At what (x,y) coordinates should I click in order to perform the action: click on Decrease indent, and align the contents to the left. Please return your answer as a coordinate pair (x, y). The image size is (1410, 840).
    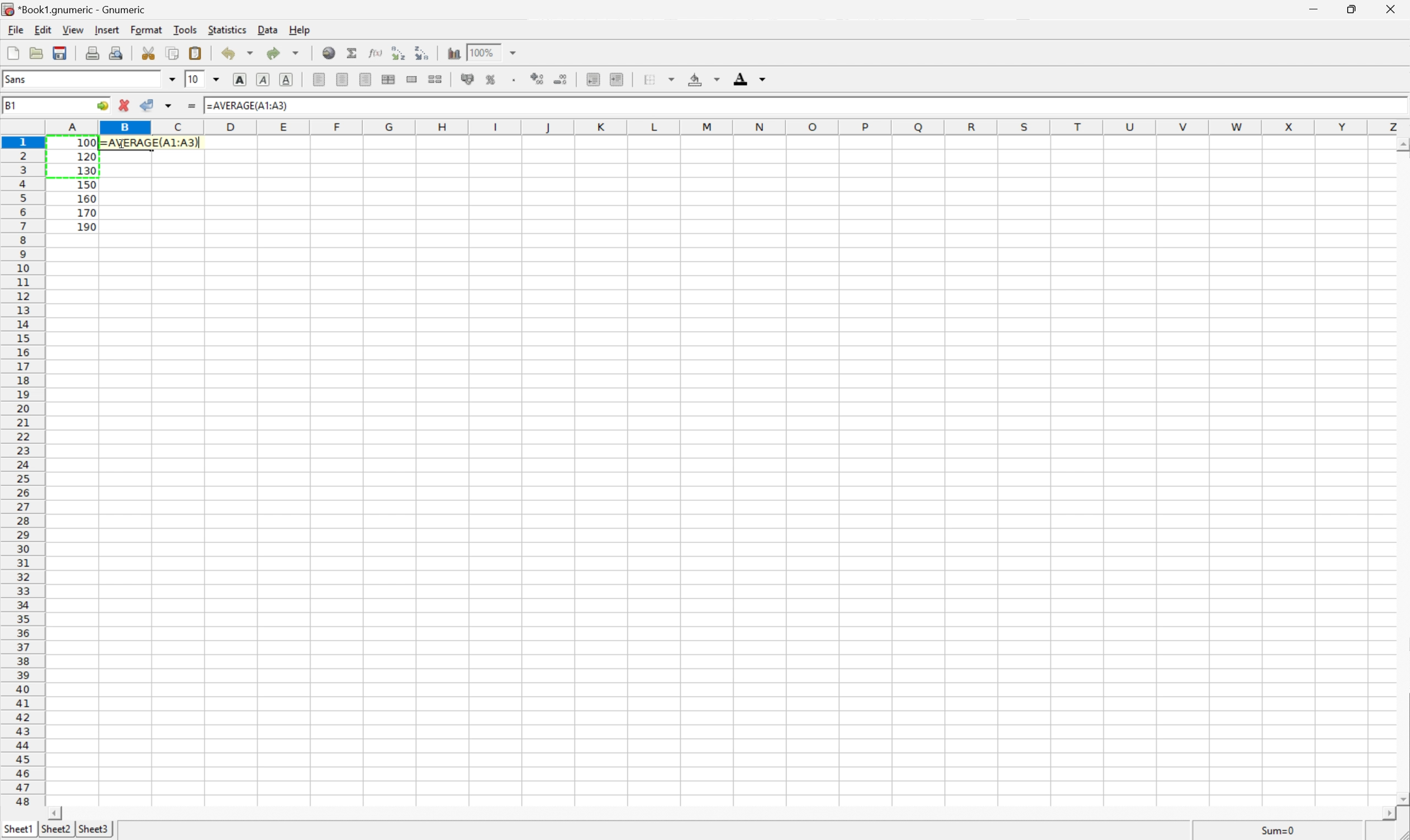
    Looking at the image, I should click on (592, 79).